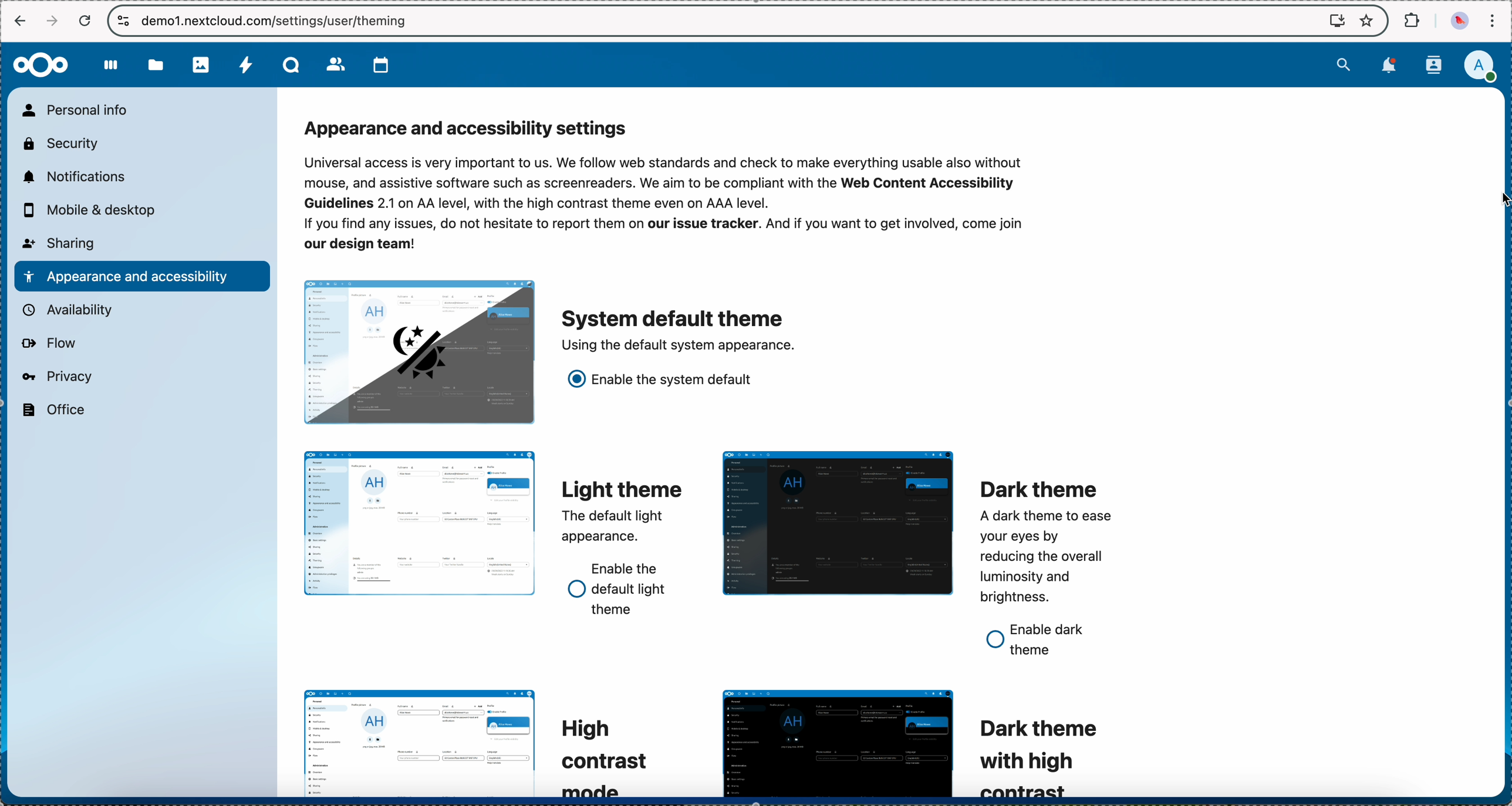  I want to click on navigate back, so click(20, 20).